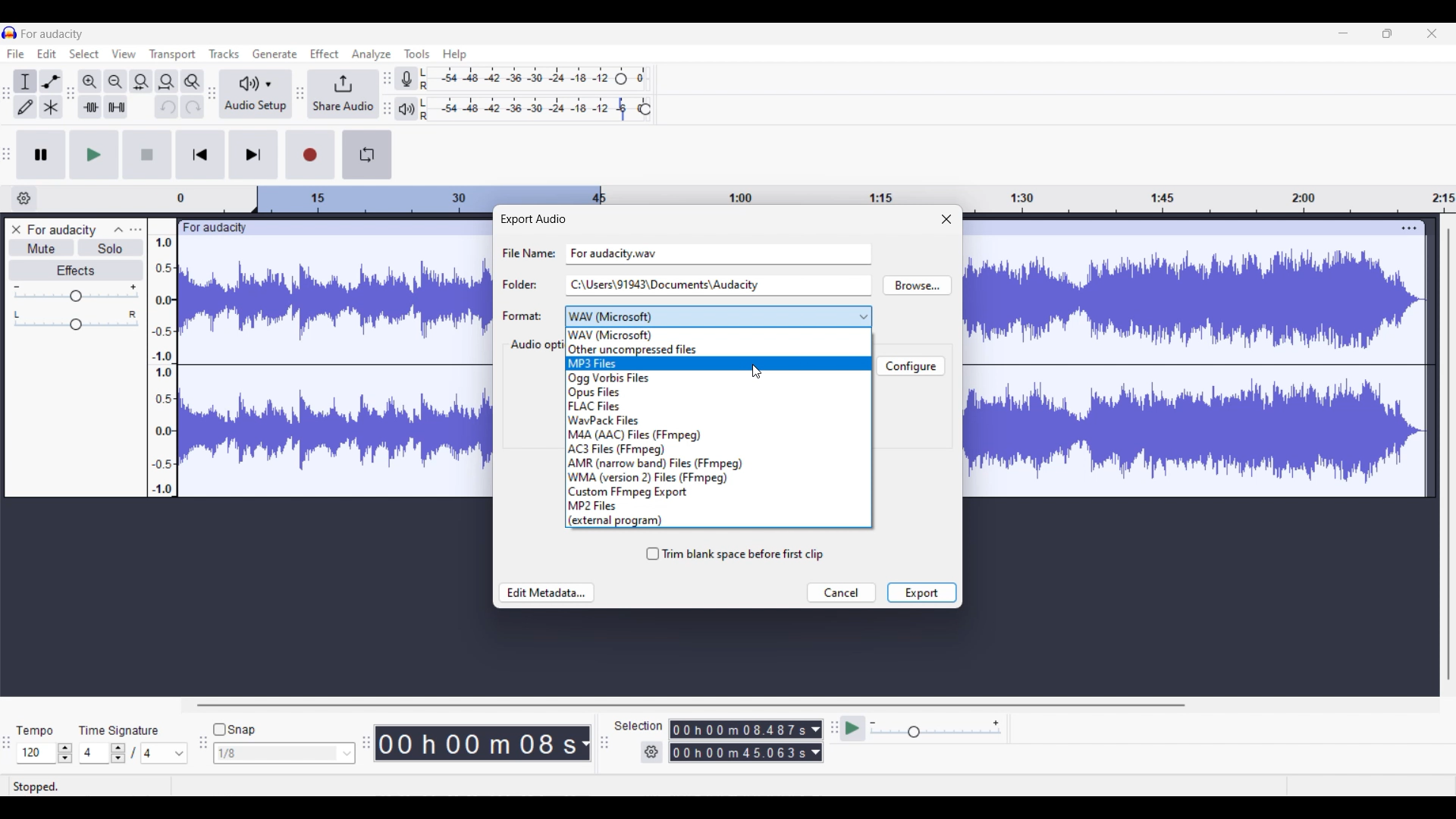 Image resolution: width=1456 pixels, height=819 pixels. What do you see at coordinates (548, 593) in the screenshot?
I see `Edit metadata` at bounding box center [548, 593].